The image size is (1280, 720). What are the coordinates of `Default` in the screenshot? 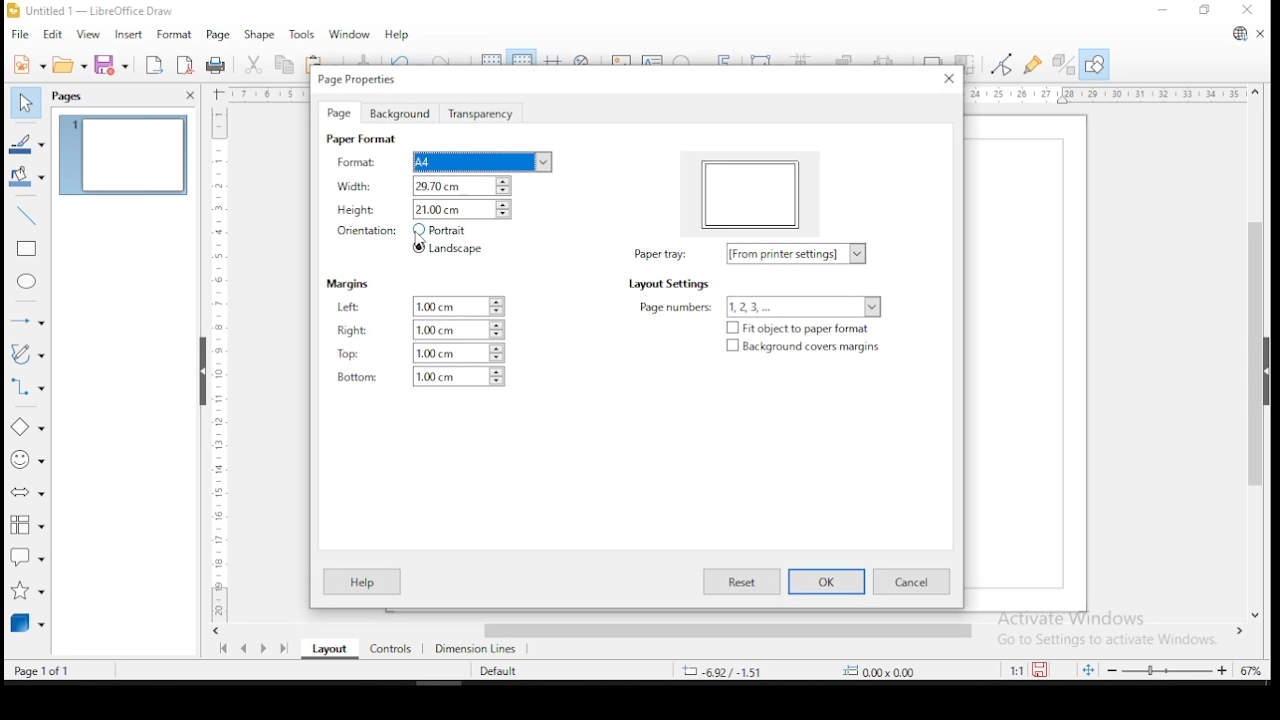 It's located at (506, 670).